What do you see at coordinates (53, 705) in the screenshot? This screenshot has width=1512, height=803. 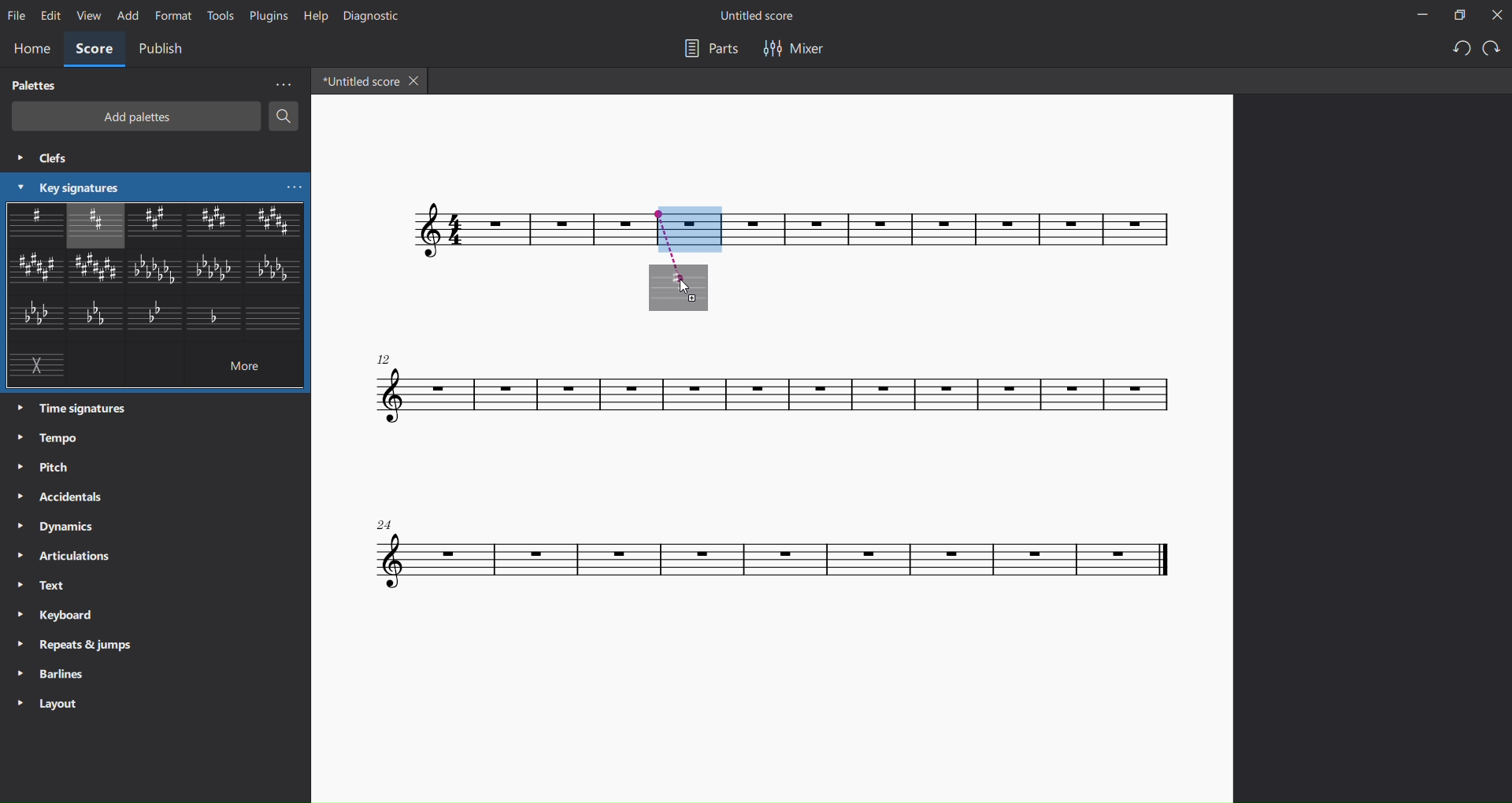 I see `layout` at bounding box center [53, 705].